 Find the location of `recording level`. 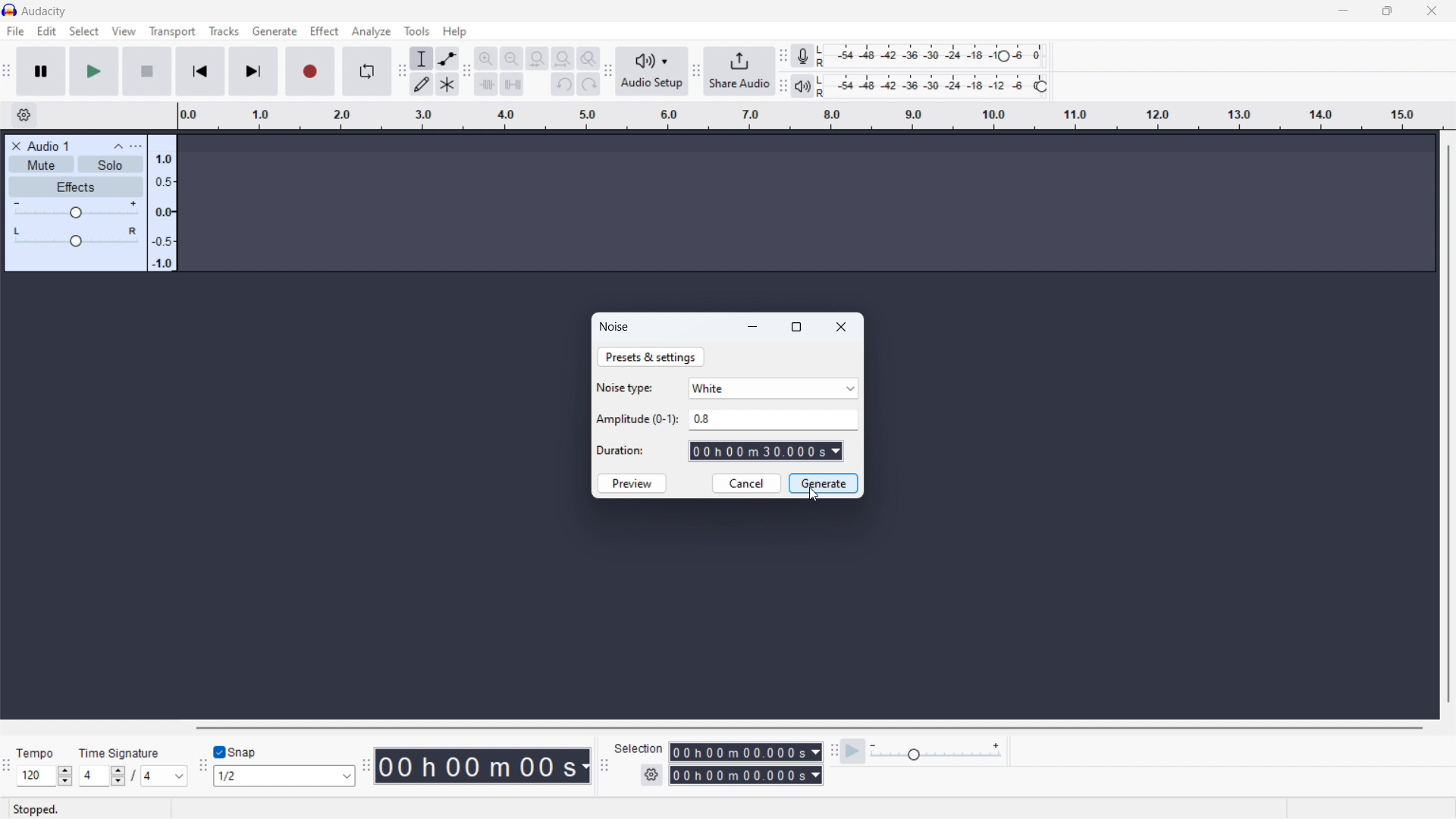

recording level is located at coordinates (940, 54).